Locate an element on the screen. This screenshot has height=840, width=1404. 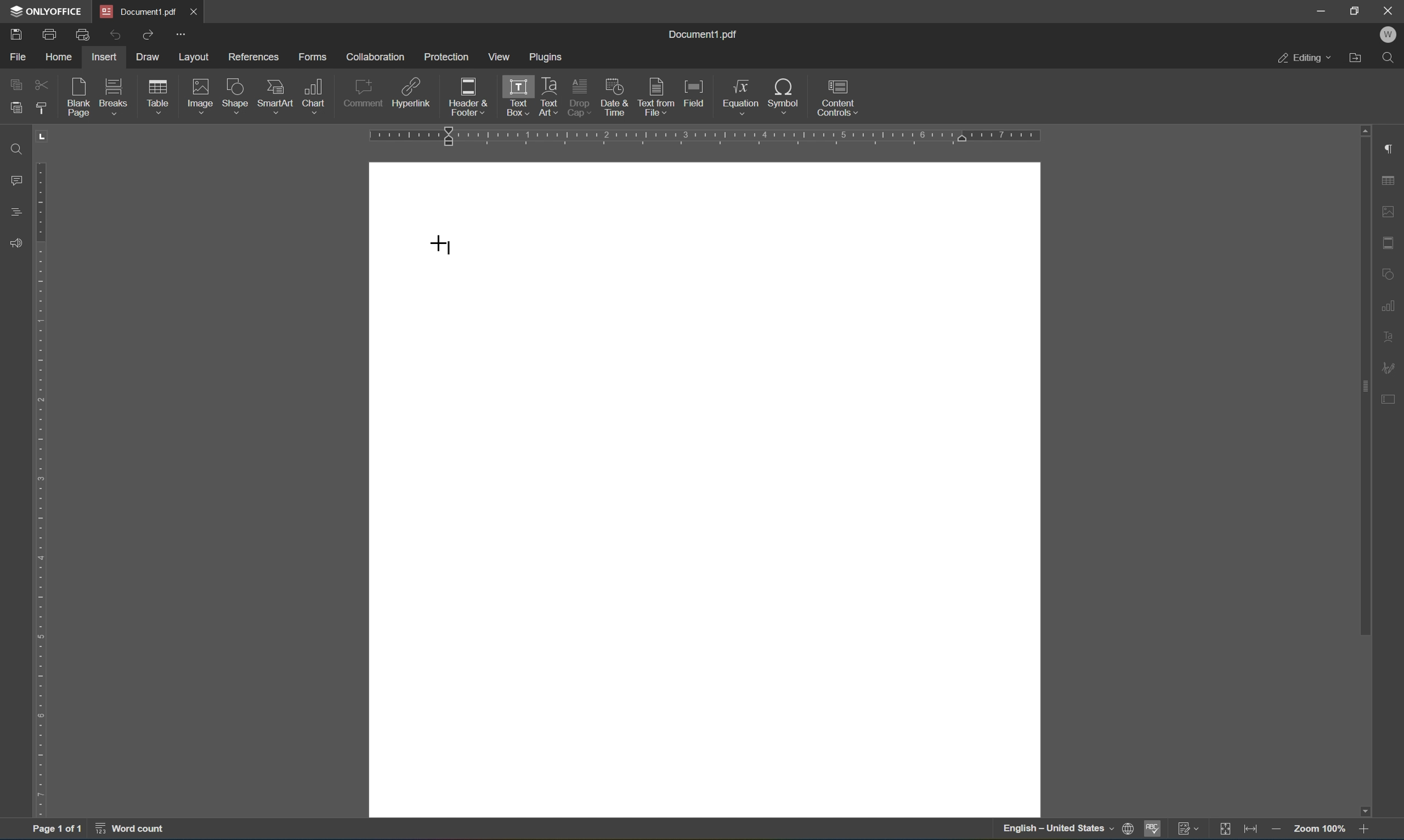
breaks is located at coordinates (117, 96).